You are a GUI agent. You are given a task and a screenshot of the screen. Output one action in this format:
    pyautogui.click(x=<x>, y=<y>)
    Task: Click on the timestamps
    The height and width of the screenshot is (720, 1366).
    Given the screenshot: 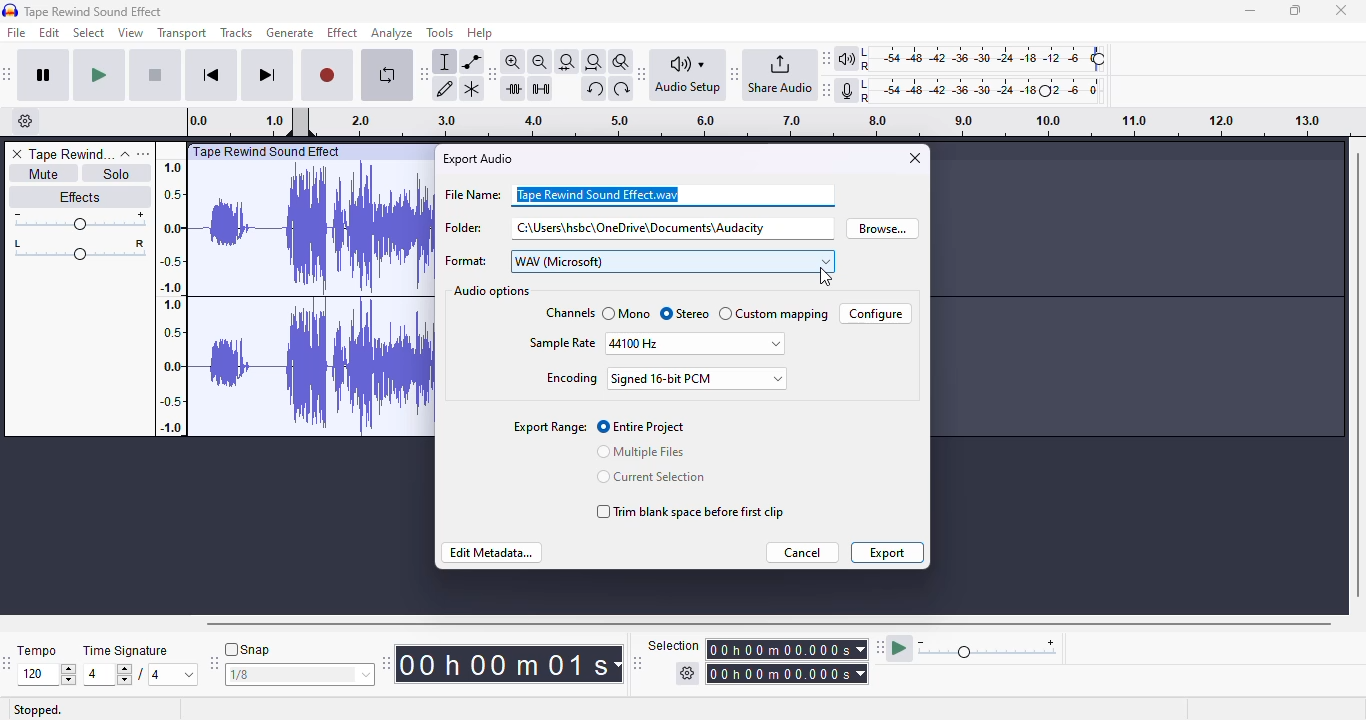 What is the action you would take?
    pyautogui.click(x=757, y=121)
    